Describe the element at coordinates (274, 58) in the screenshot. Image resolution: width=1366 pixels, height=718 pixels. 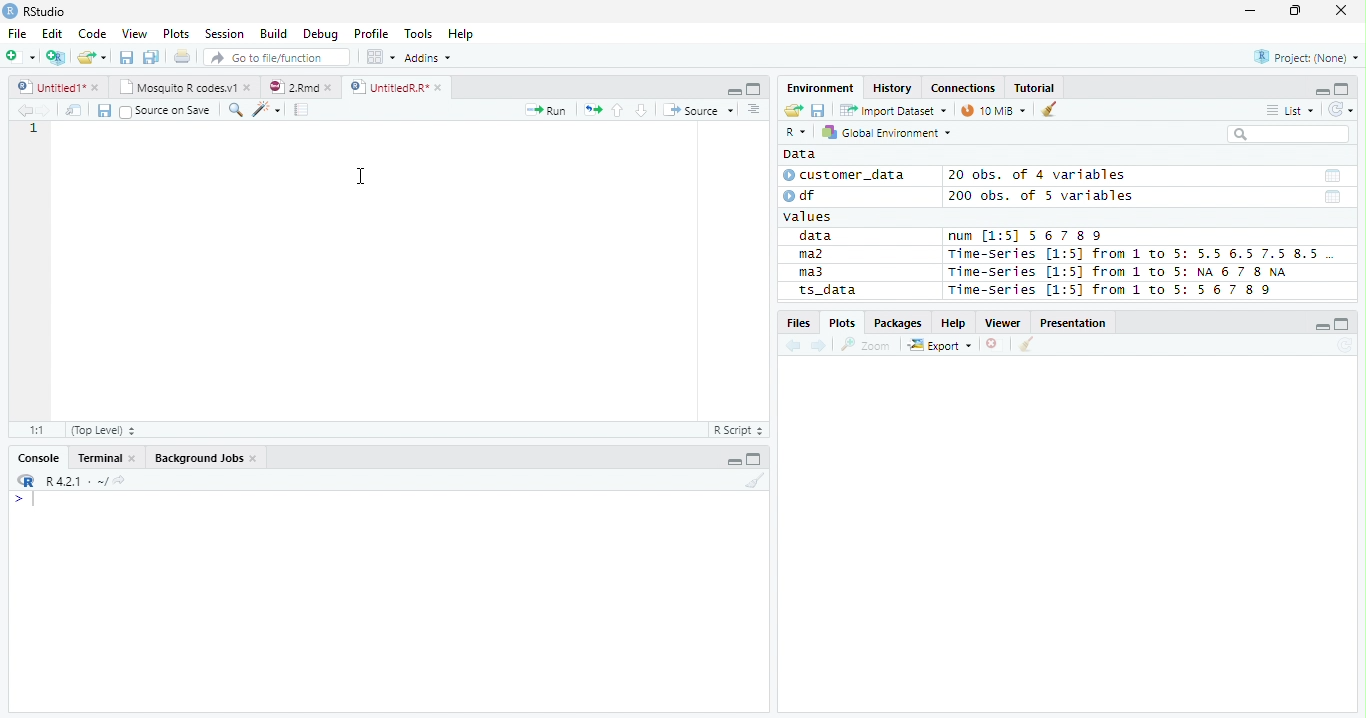
I see `Go to file/function` at that location.